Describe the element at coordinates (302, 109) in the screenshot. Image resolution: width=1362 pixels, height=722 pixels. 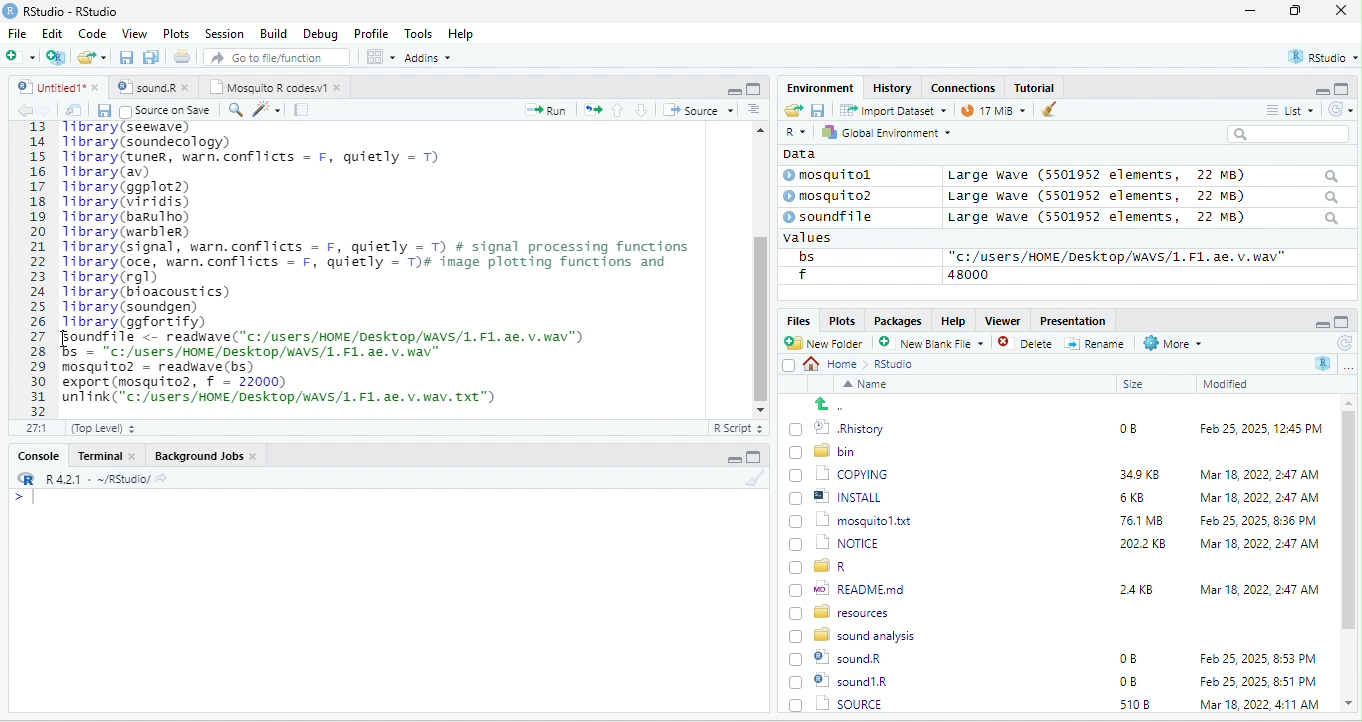
I see `note` at that location.